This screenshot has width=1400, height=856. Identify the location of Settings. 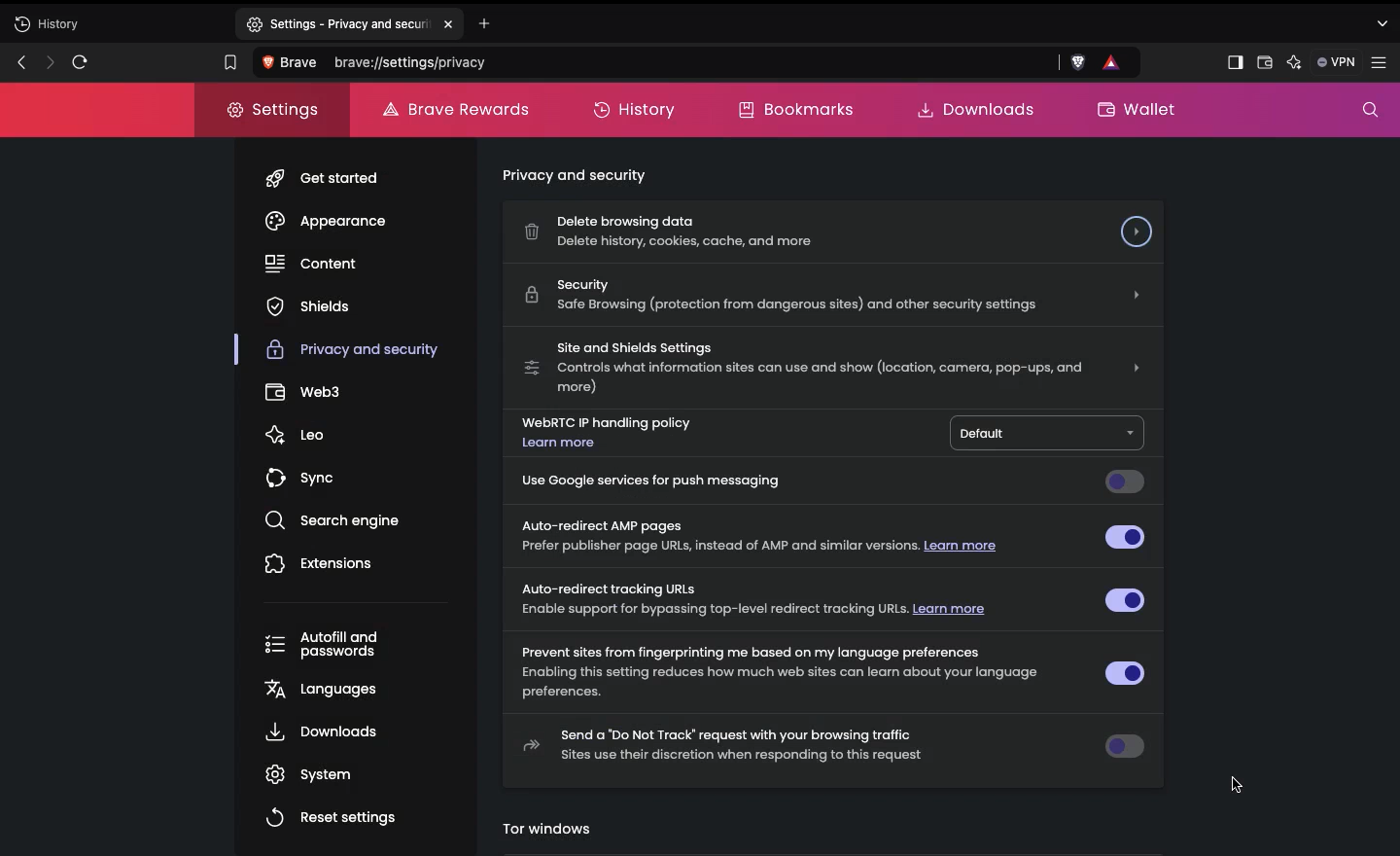
(1382, 62).